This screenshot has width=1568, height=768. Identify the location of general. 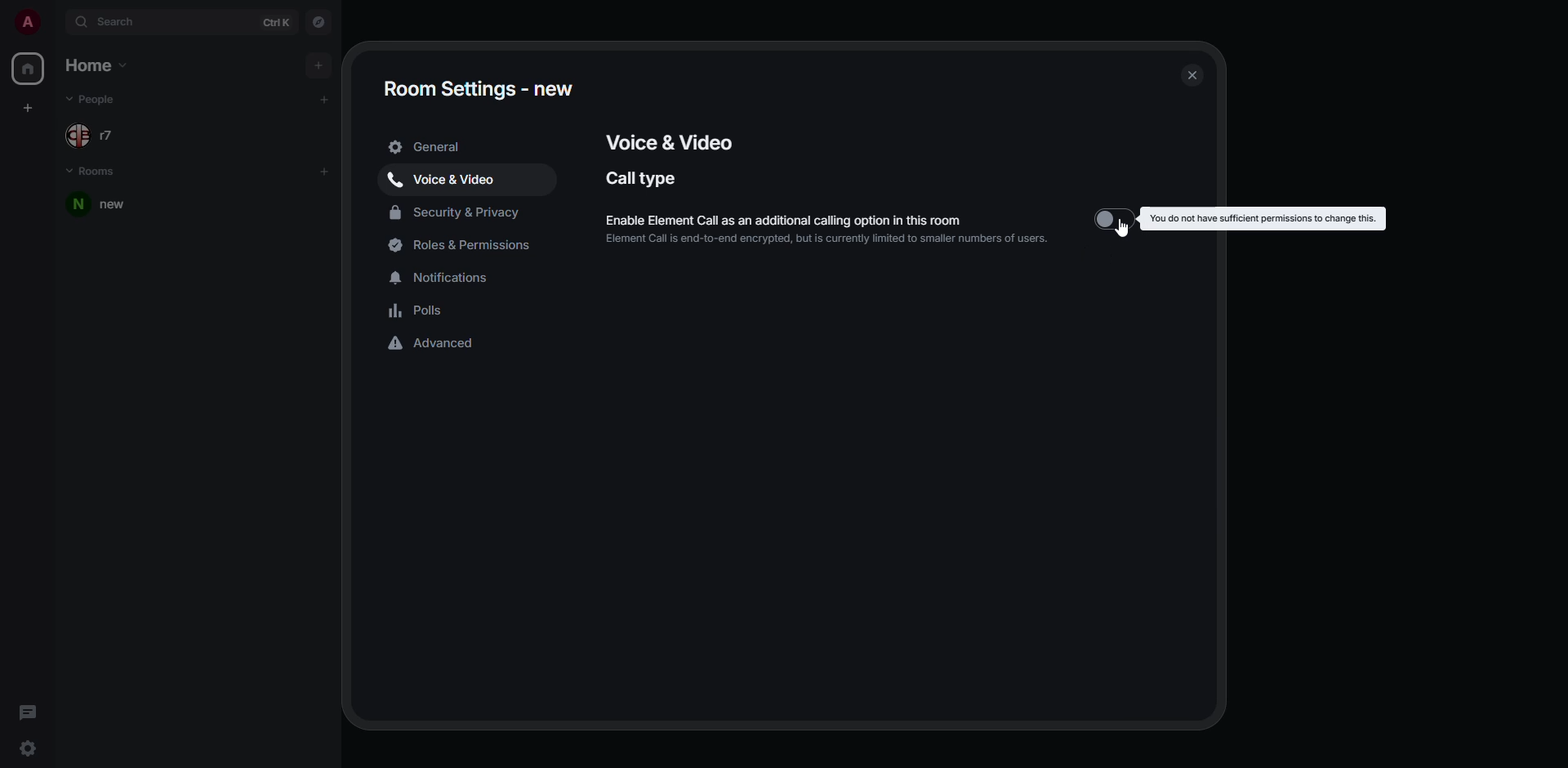
(429, 145).